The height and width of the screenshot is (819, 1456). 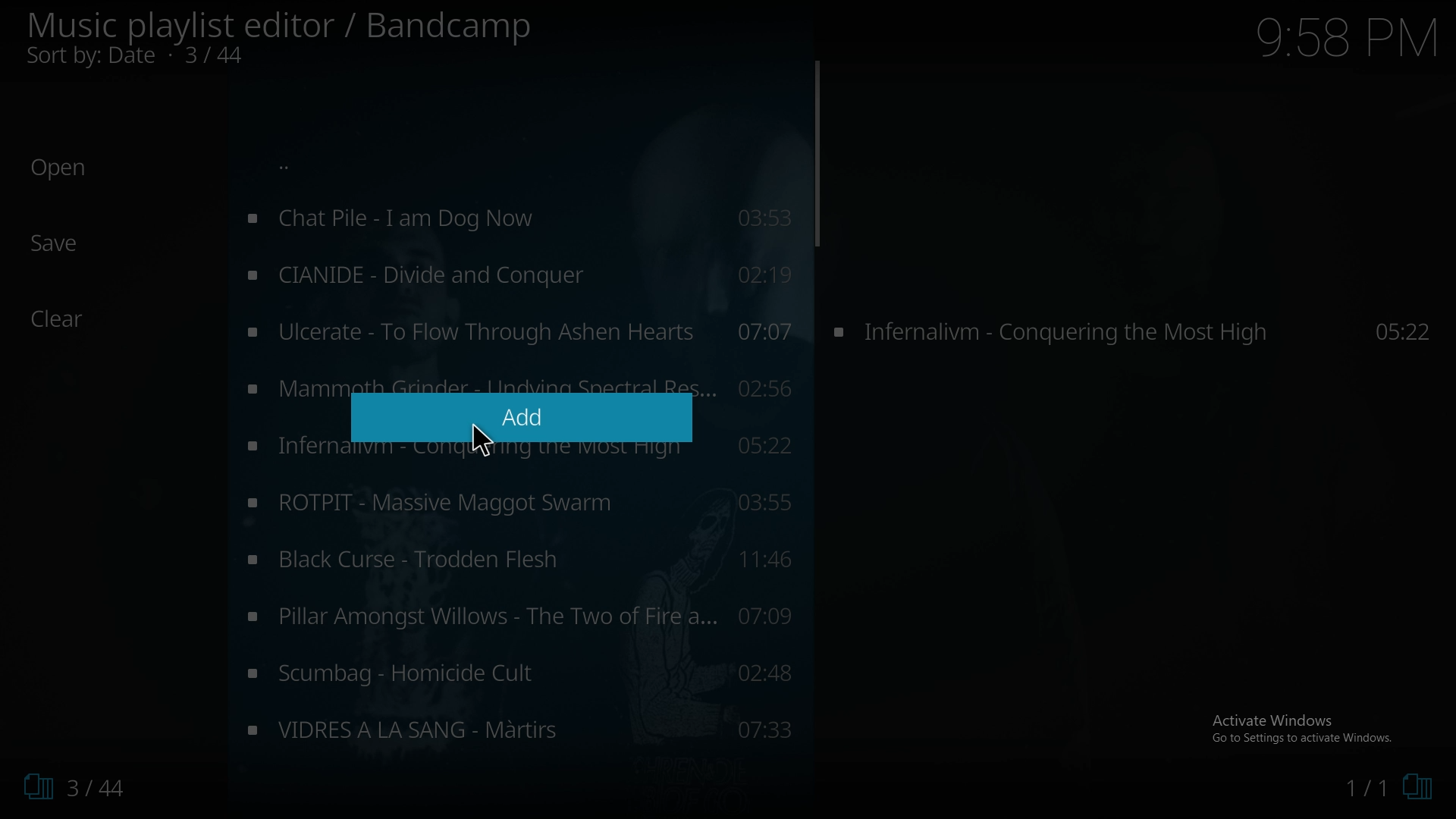 I want to click on Save, so click(x=57, y=243).